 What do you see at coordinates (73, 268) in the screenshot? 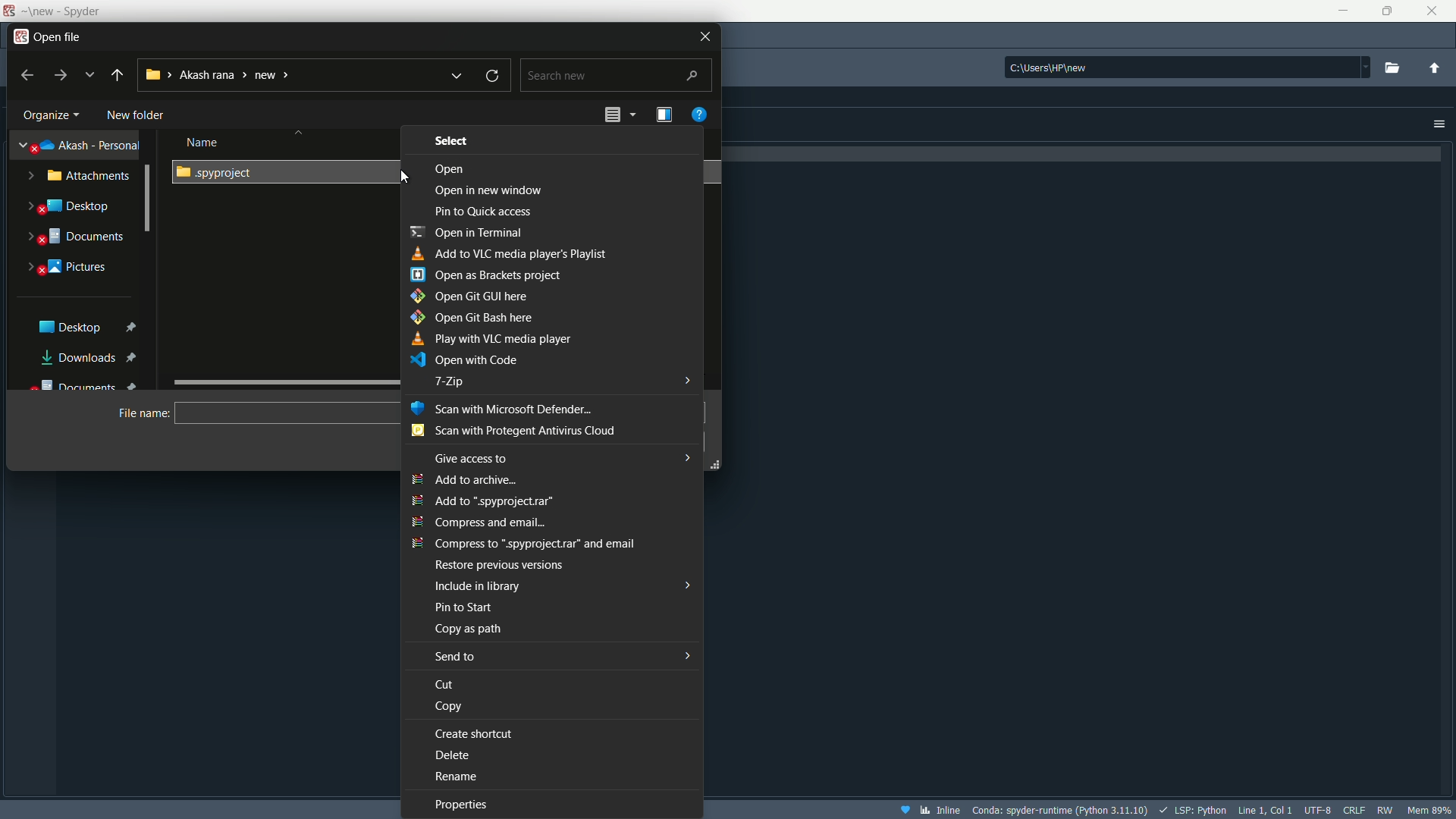
I see `Pictures` at bounding box center [73, 268].